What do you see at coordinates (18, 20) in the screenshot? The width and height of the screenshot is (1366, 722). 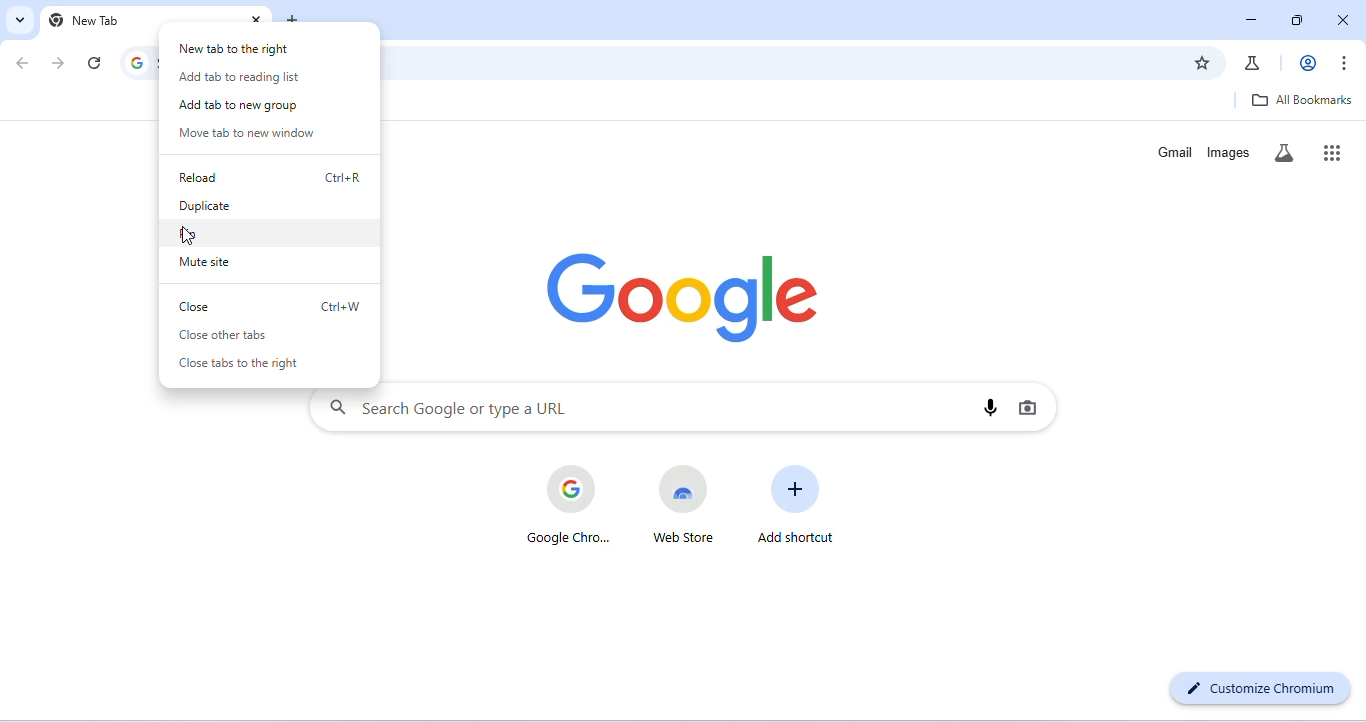 I see `search tabs` at bounding box center [18, 20].